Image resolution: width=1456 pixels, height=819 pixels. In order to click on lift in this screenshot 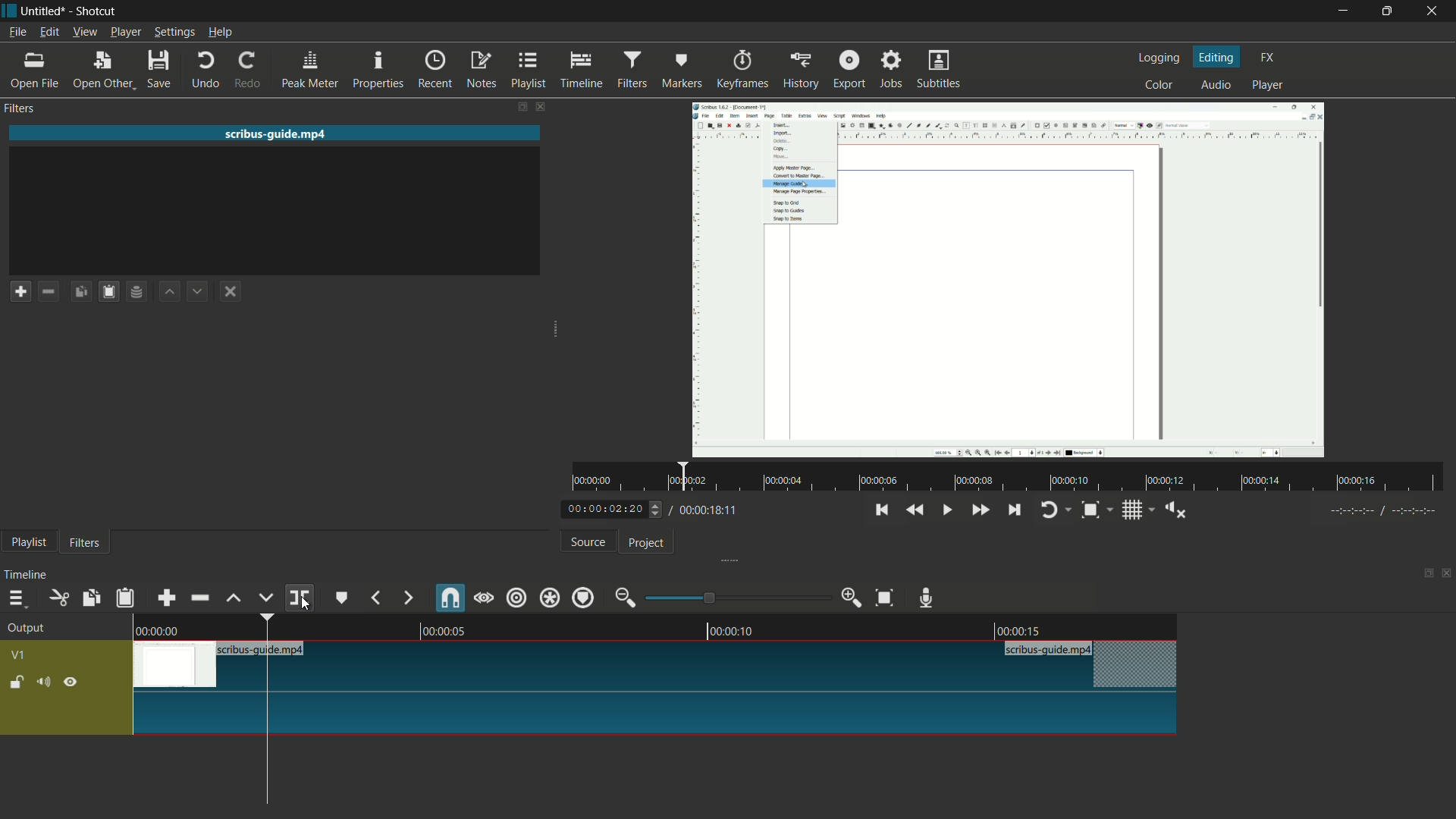, I will do `click(234, 598)`.